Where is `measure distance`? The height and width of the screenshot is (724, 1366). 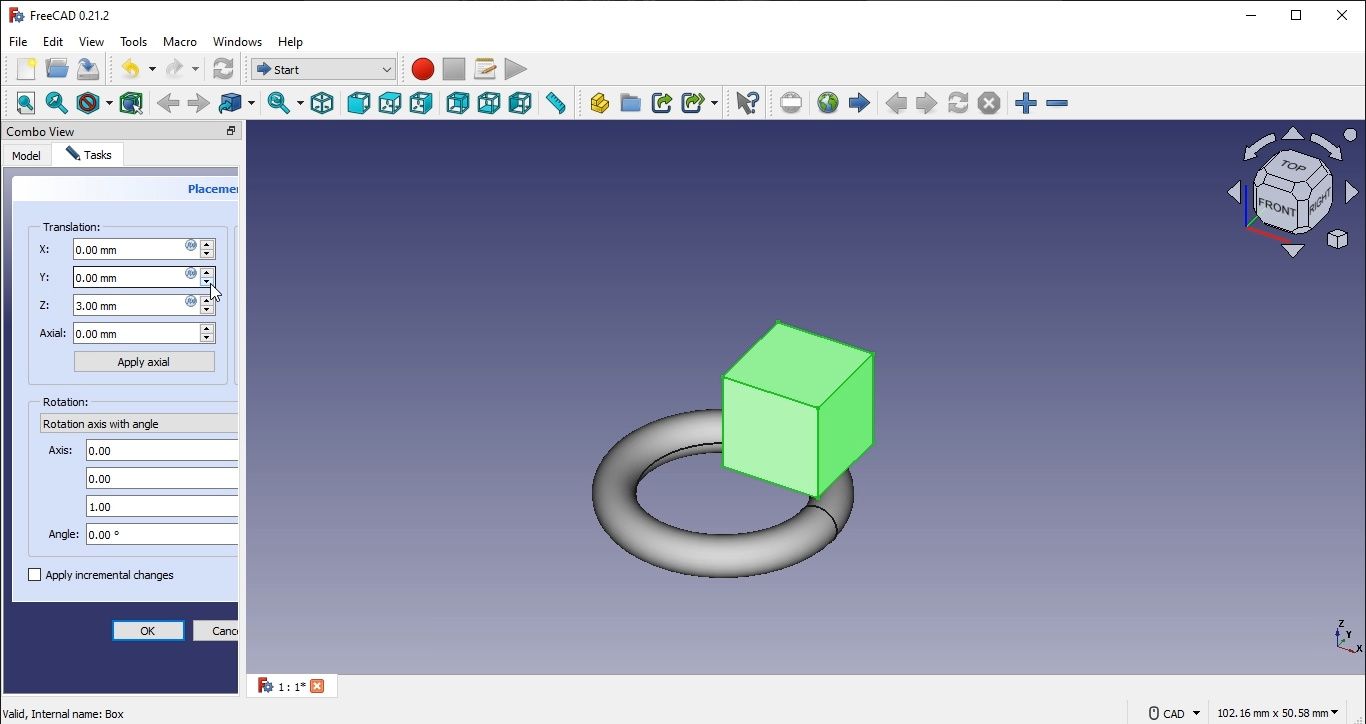 measure distance is located at coordinates (556, 104).